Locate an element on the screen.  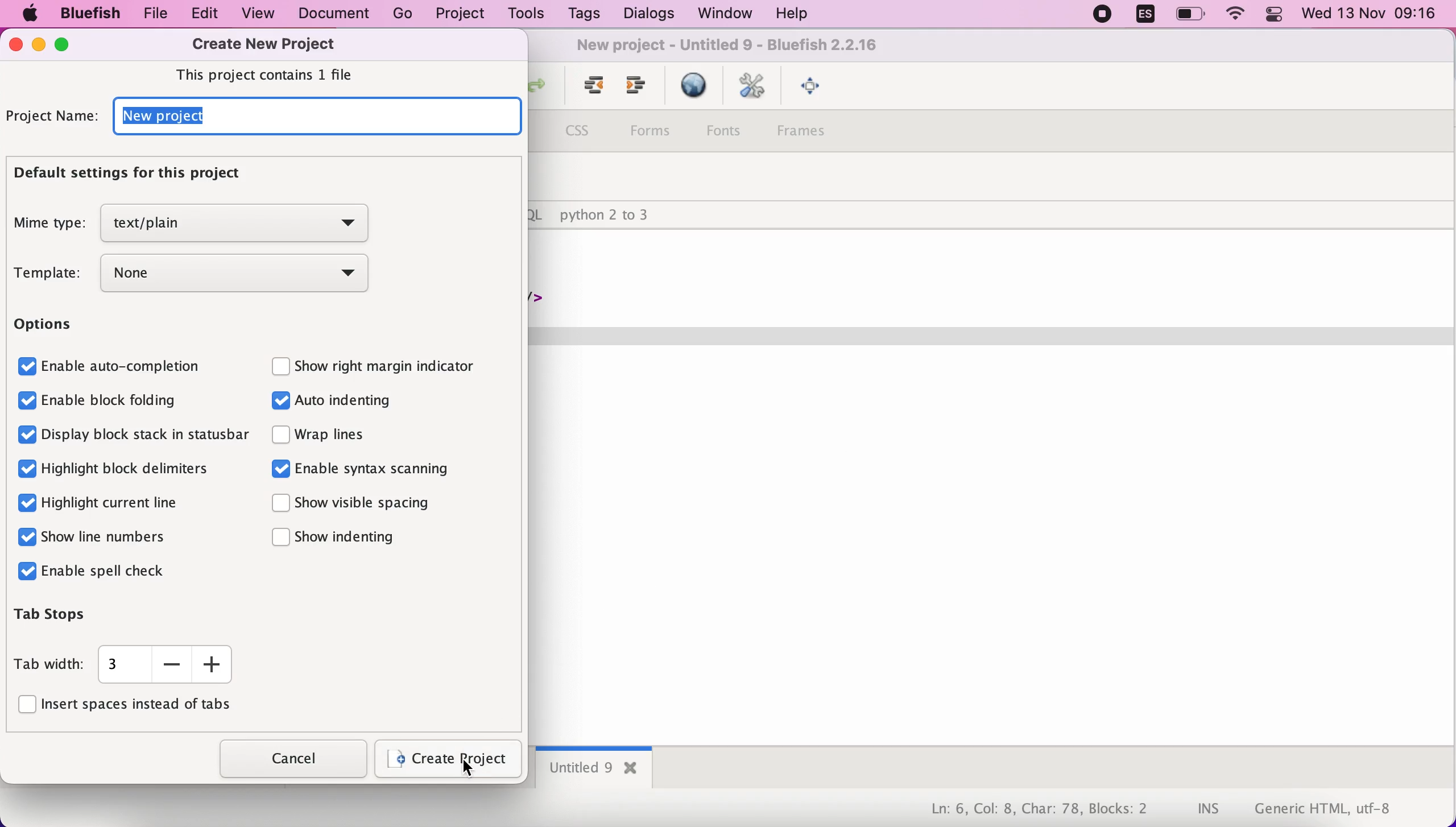
title is located at coordinates (733, 48).